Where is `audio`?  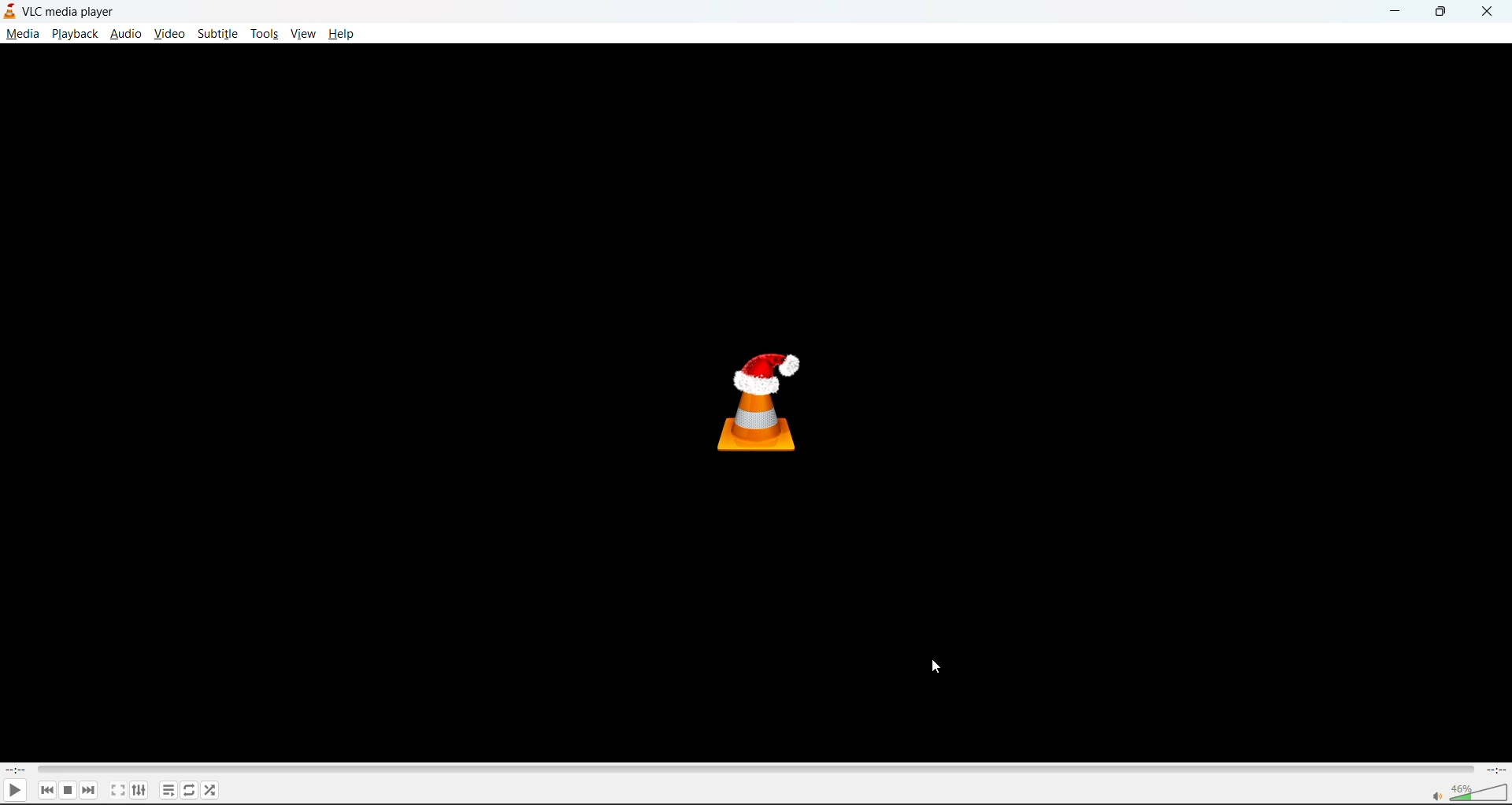 audio is located at coordinates (126, 32).